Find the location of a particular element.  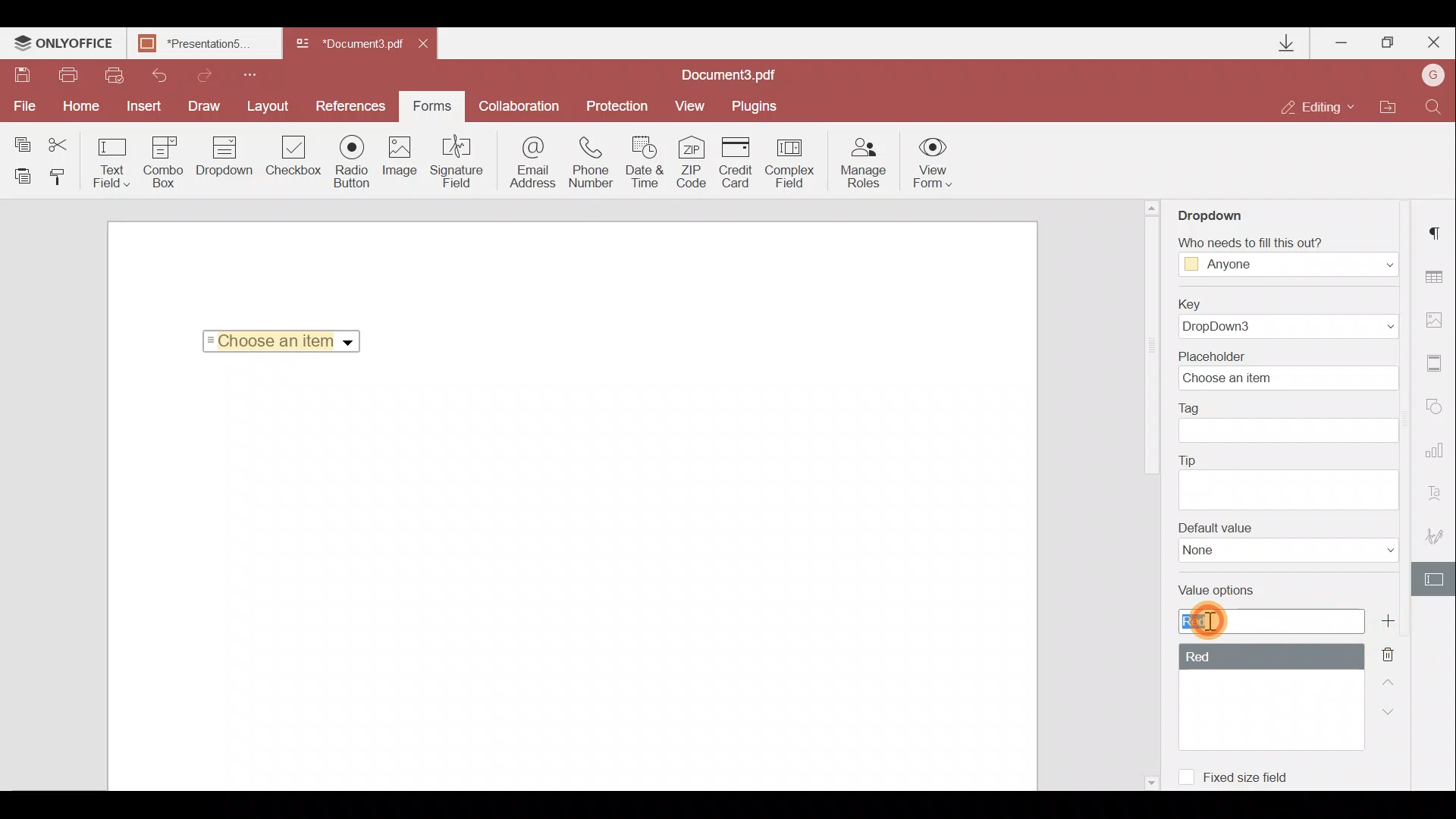

Add is located at coordinates (1387, 620).